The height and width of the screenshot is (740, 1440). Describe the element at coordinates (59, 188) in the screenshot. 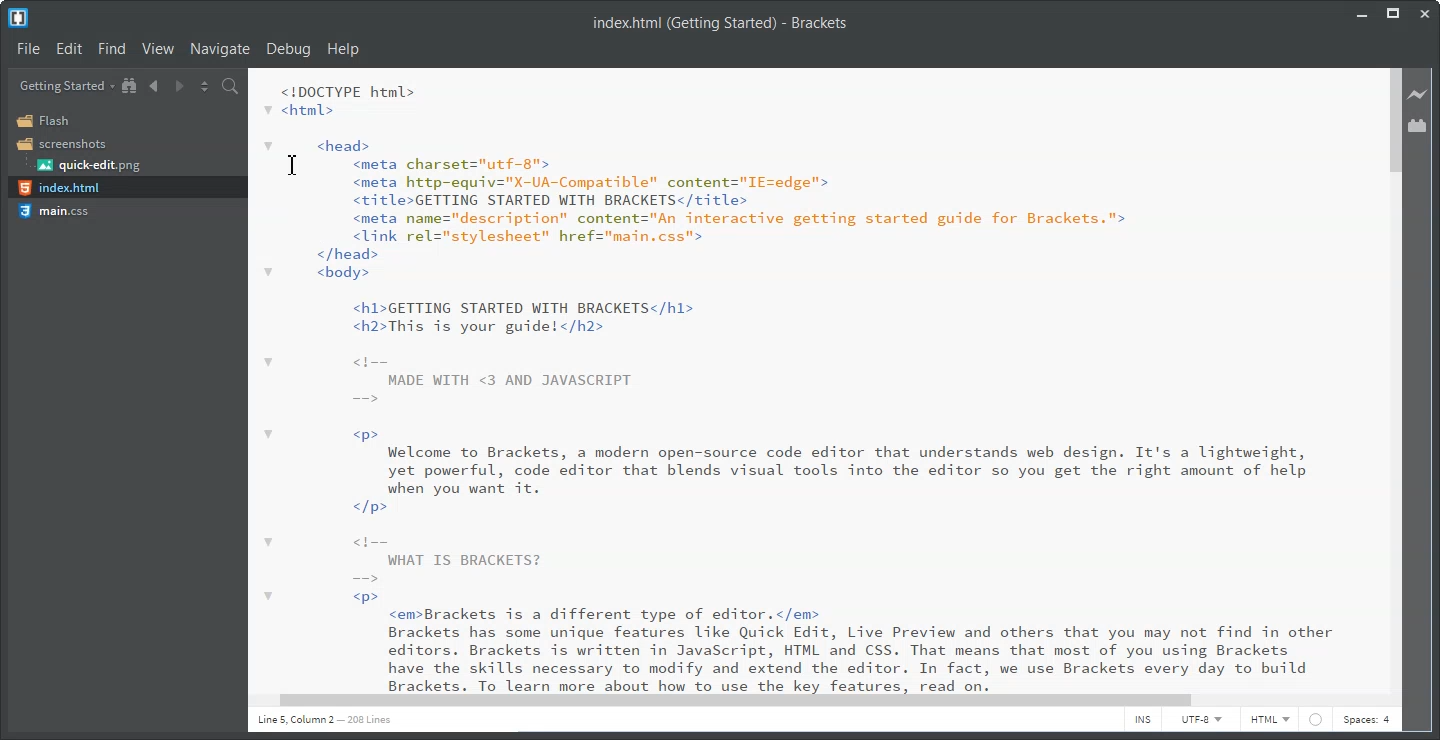

I see `index.html` at that location.